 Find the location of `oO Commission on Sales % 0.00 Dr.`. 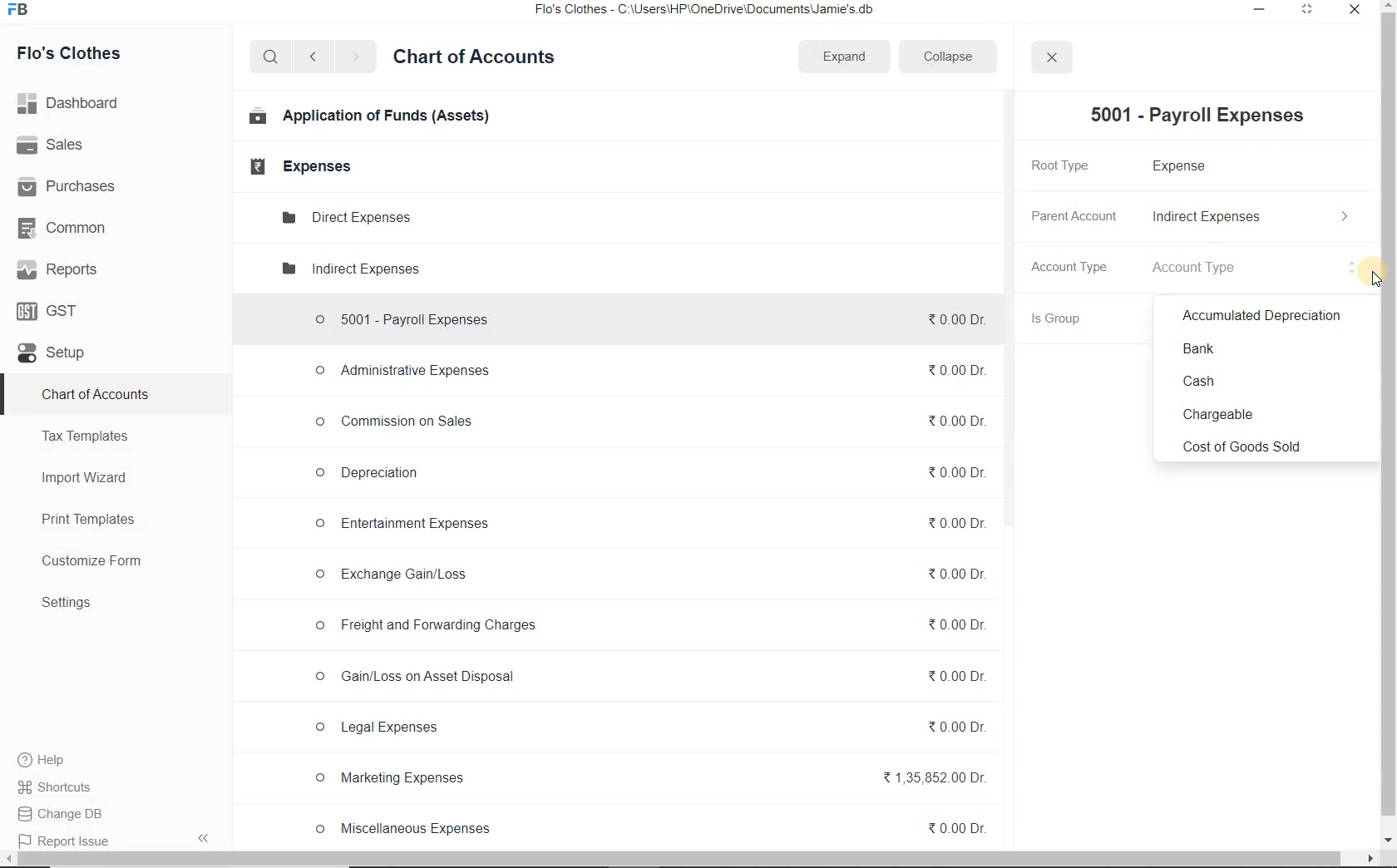

oO Commission on Sales % 0.00 Dr. is located at coordinates (644, 419).